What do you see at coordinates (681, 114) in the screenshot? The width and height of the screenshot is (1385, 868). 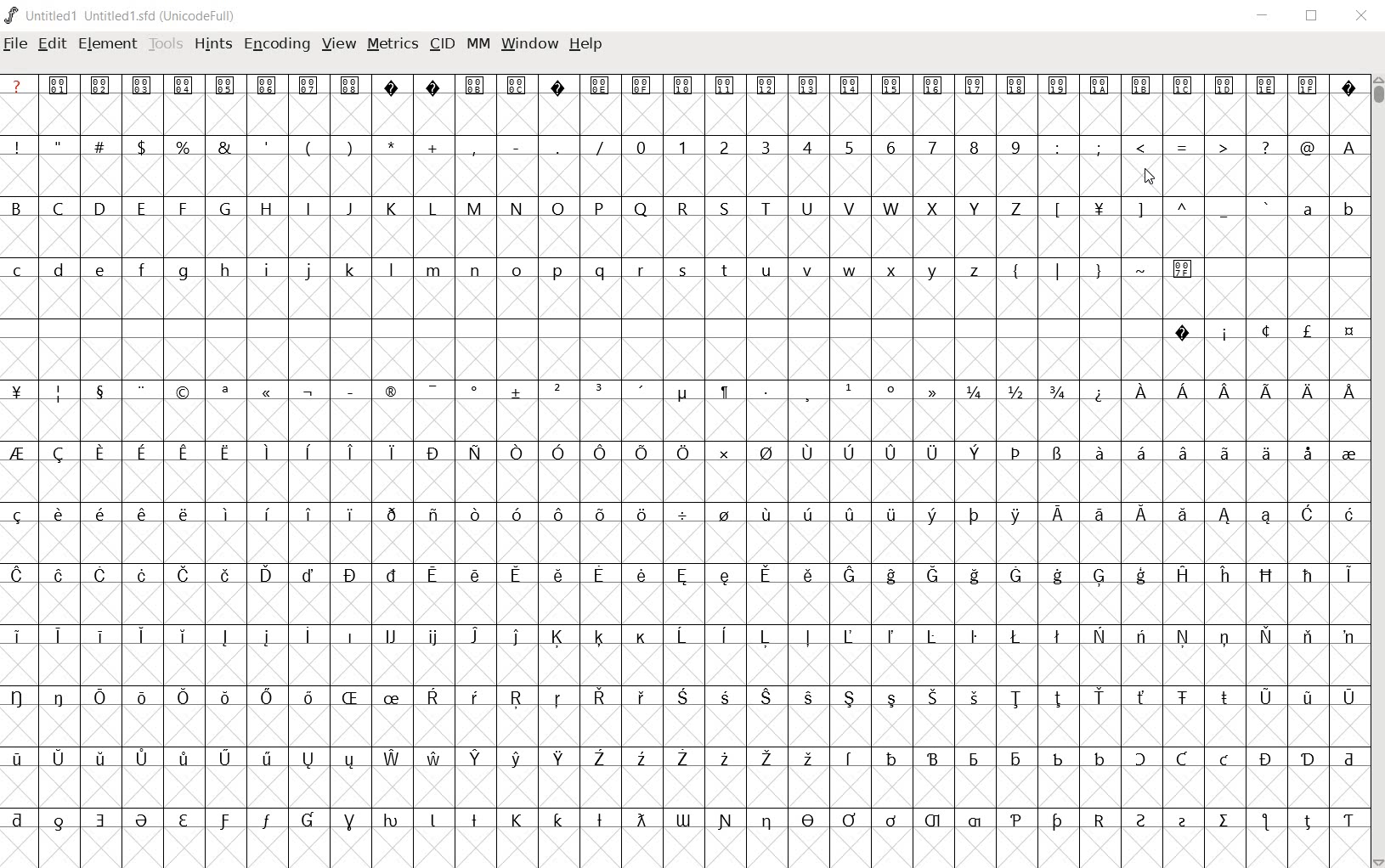 I see `empty cells` at bounding box center [681, 114].